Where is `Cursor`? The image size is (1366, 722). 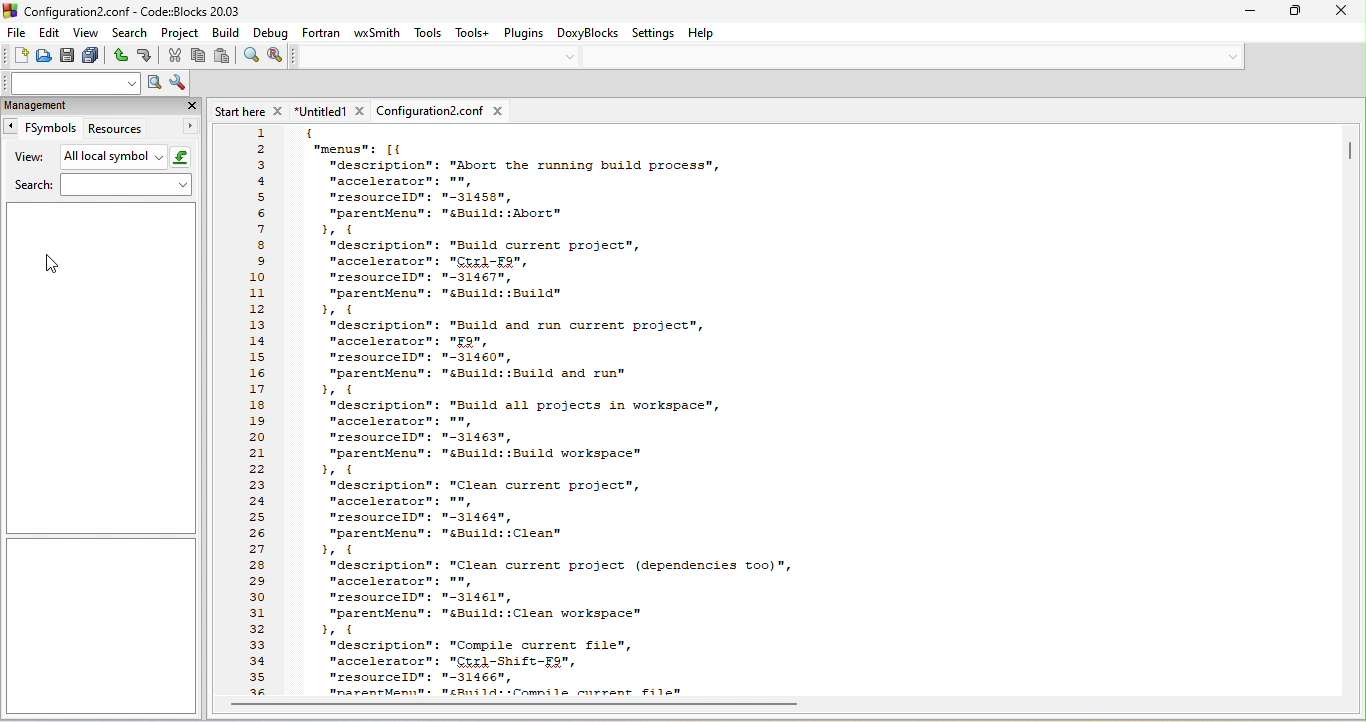
Cursor is located at coordinates (52, 264).